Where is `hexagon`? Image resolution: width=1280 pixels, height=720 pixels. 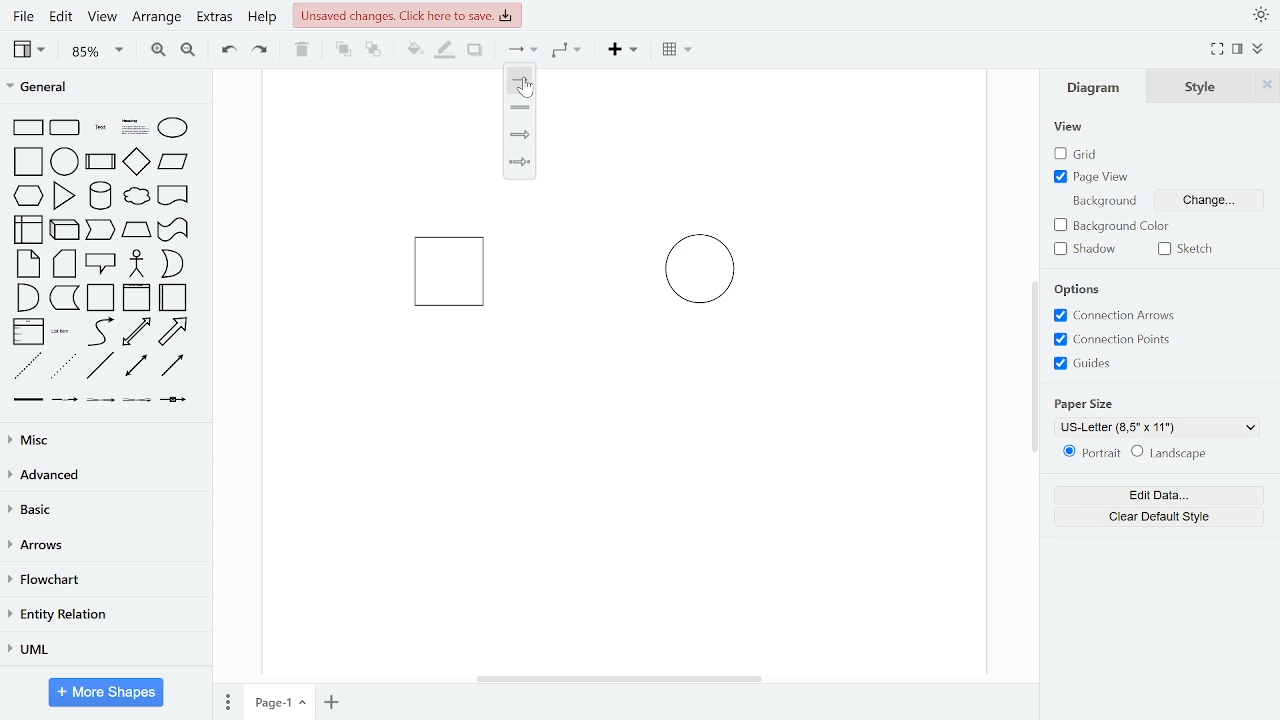
hexagon is located at coordinates (32, 197).